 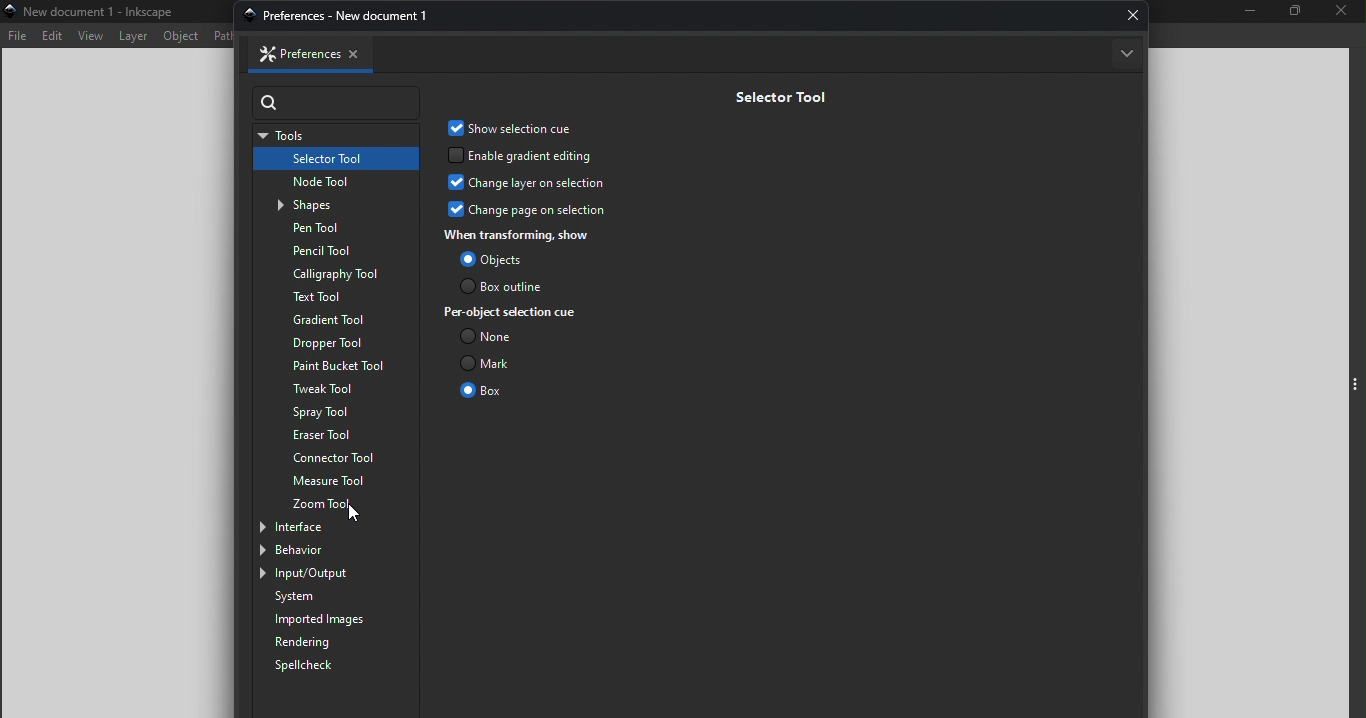 I want to click on Text tool, so click(x=319, y=298).